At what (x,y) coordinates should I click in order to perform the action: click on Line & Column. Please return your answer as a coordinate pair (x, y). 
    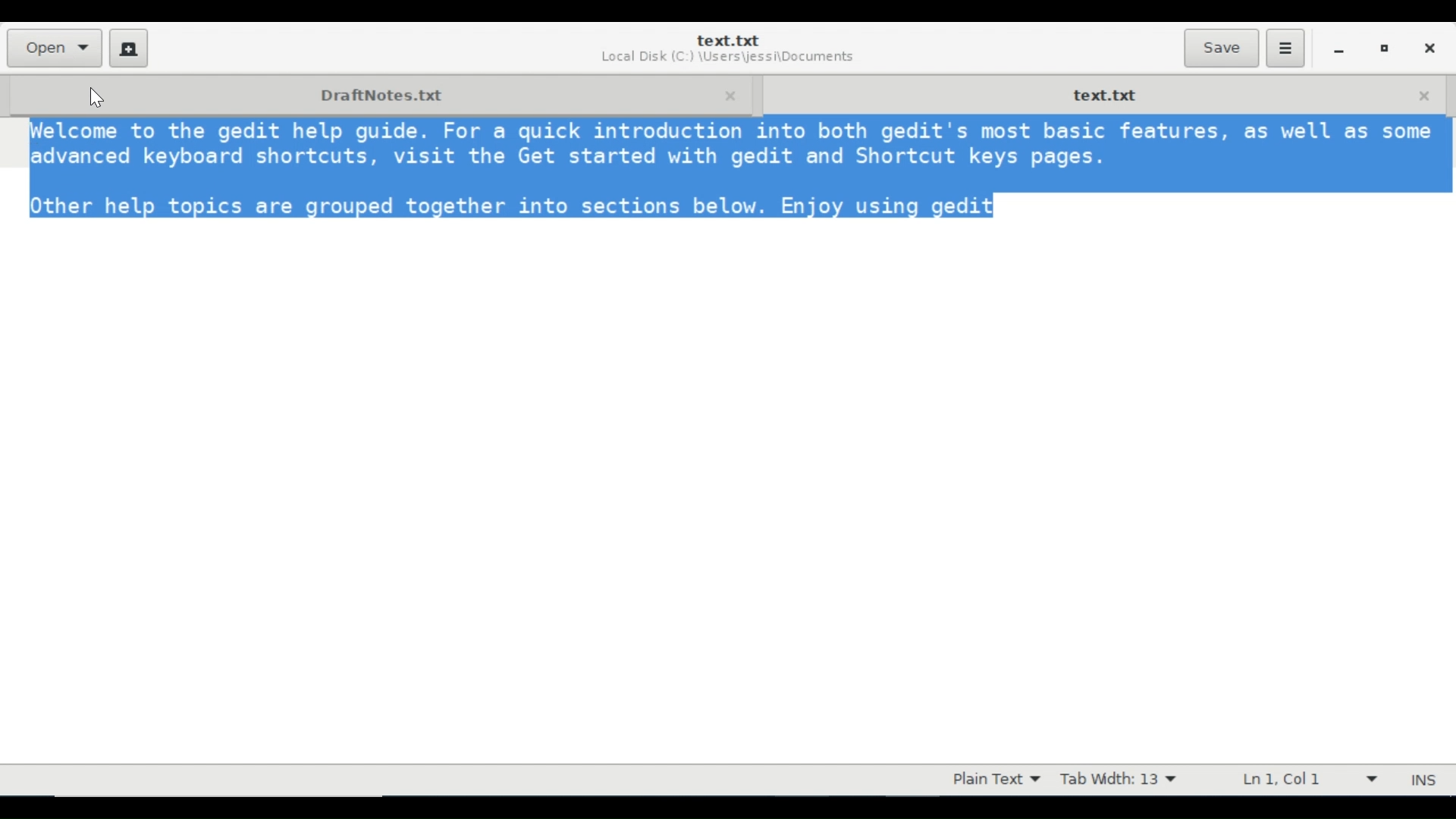
    Looking at the image, I should click on (1305, 779).